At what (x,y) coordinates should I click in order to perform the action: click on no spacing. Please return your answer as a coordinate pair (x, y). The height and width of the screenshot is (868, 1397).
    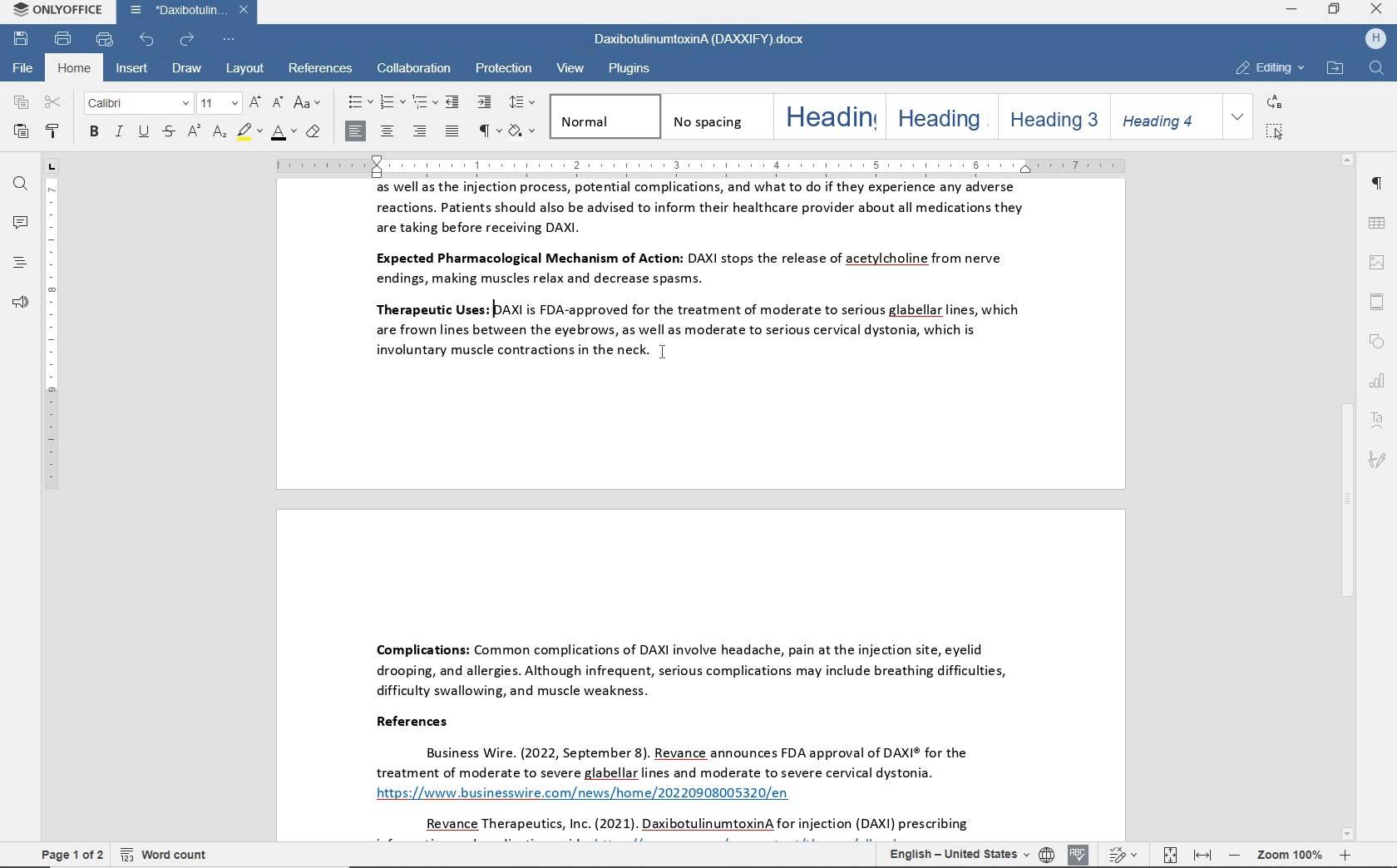
    Looking at the image, I should click on (713, 116).